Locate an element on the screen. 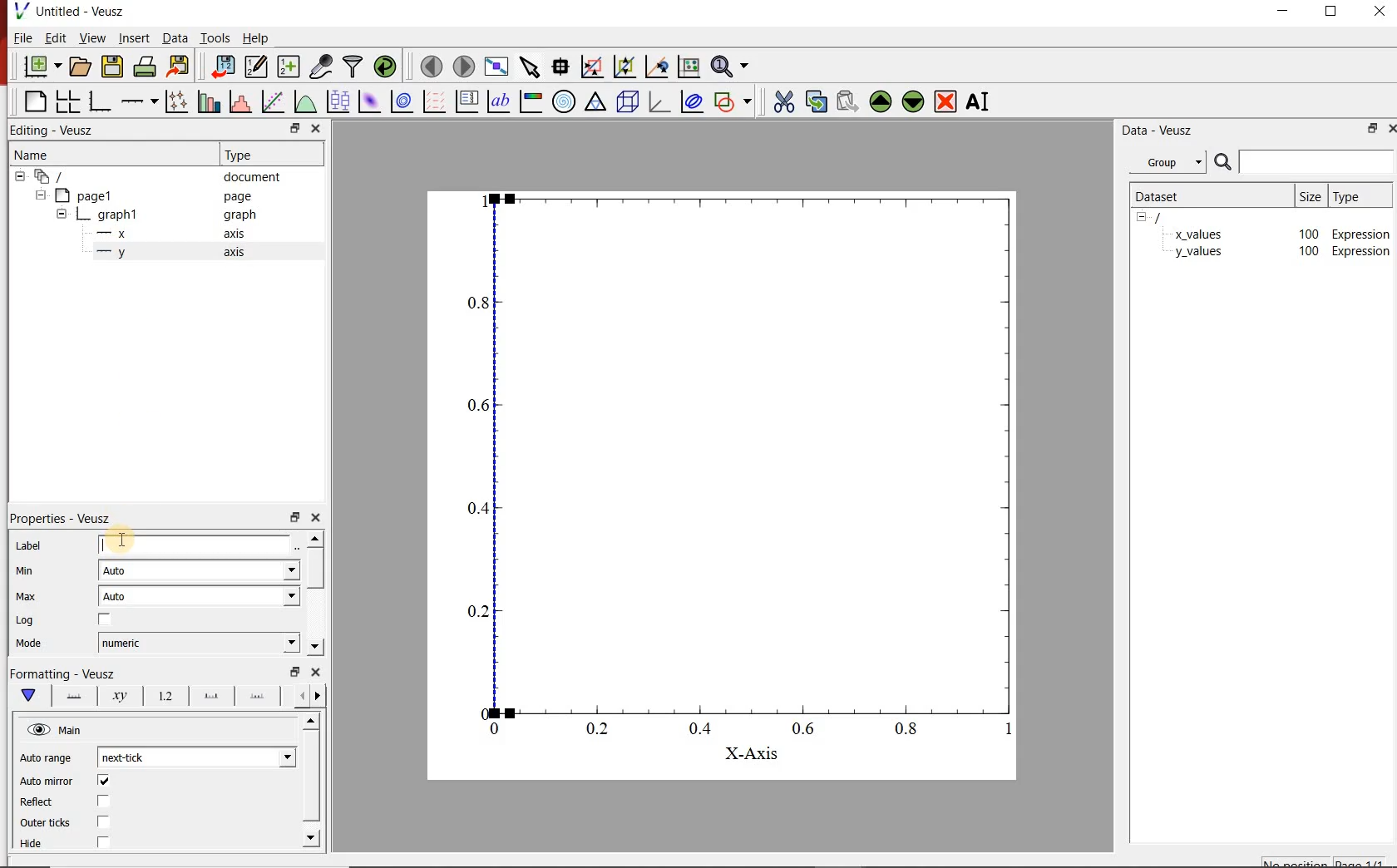  move up is located at coordinates (309, 722).